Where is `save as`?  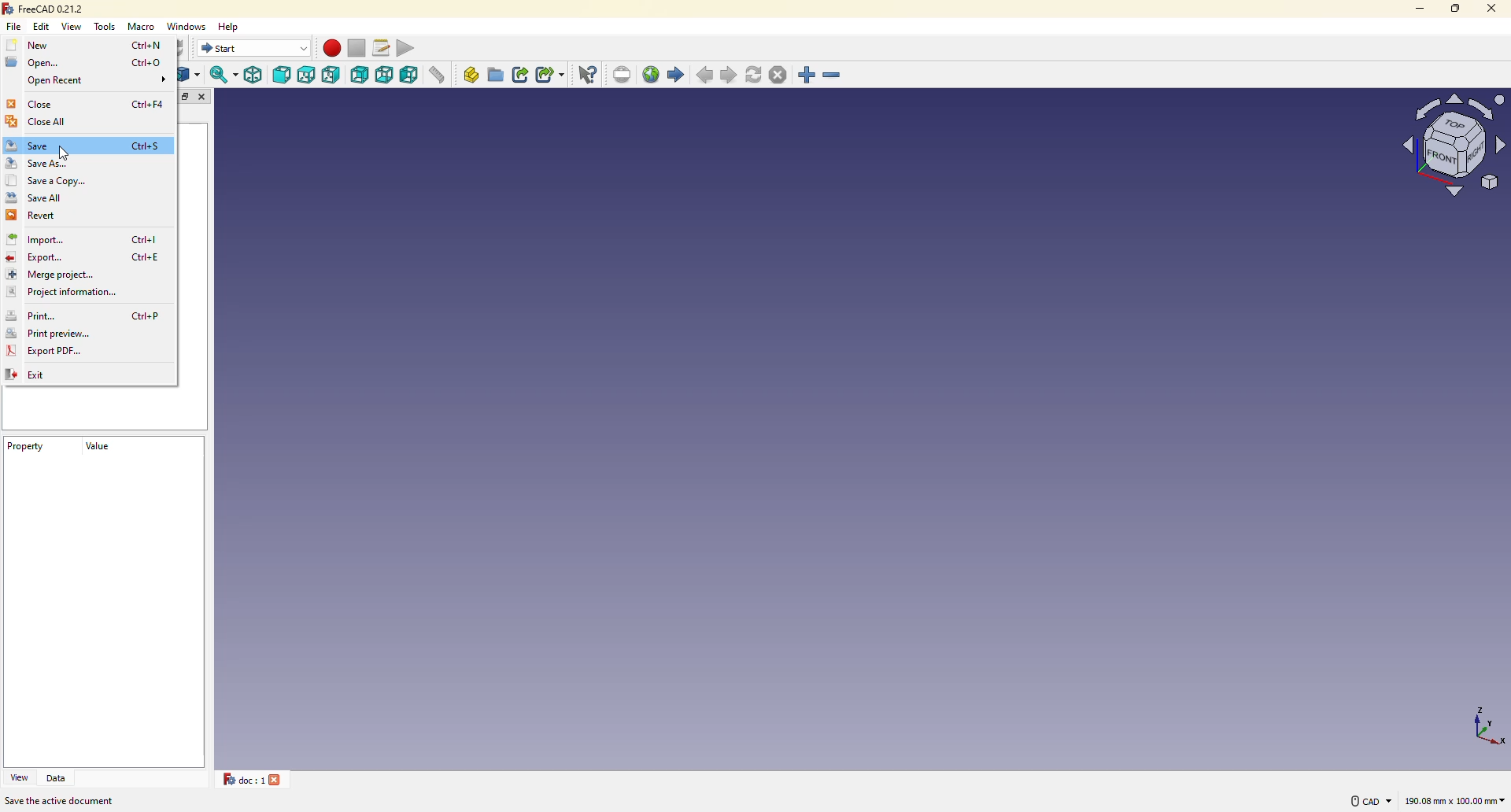
save as is located at coordinates (39, 164).